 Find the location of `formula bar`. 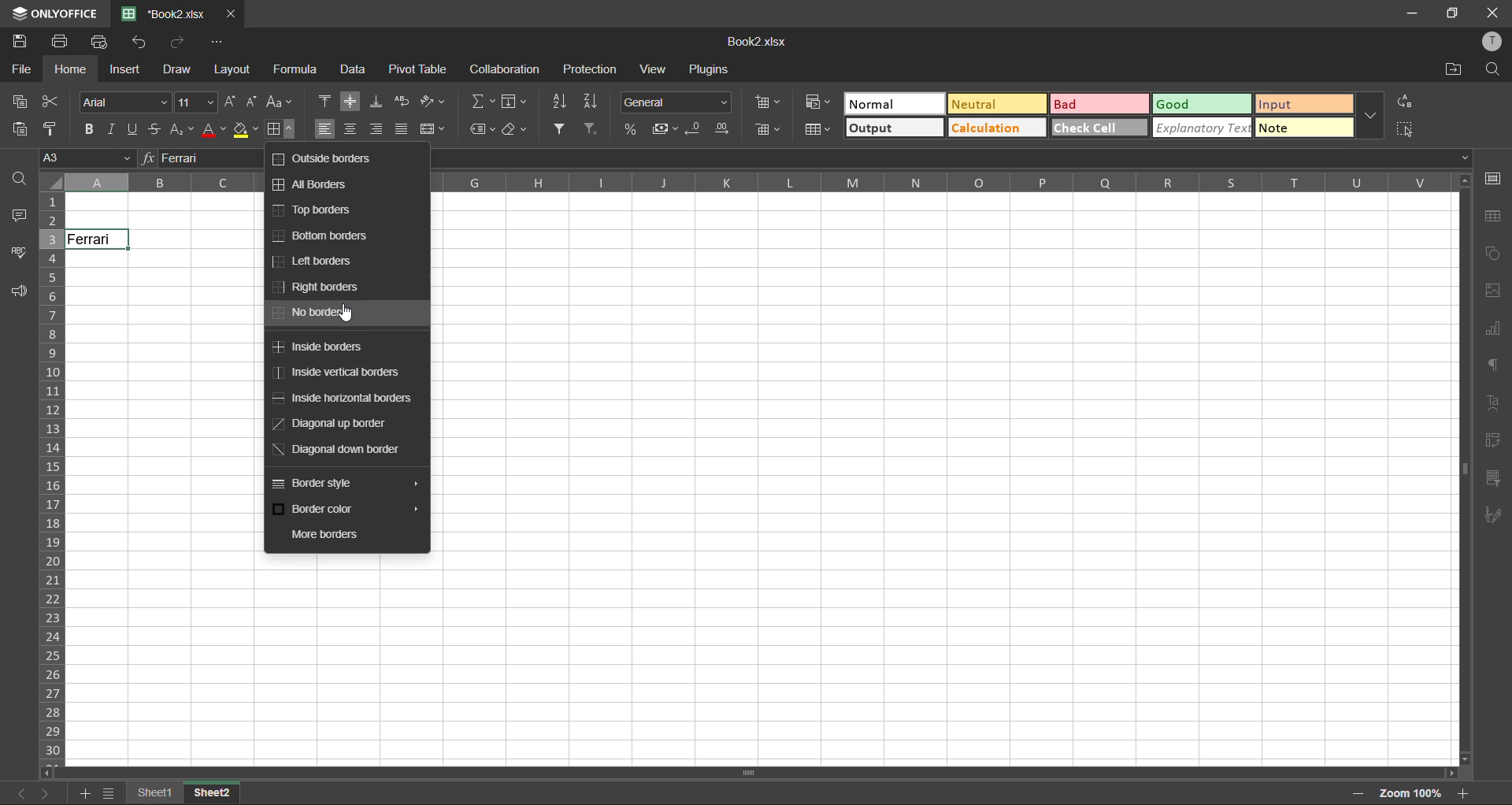

formula bar is located at coordinates (945, 159).